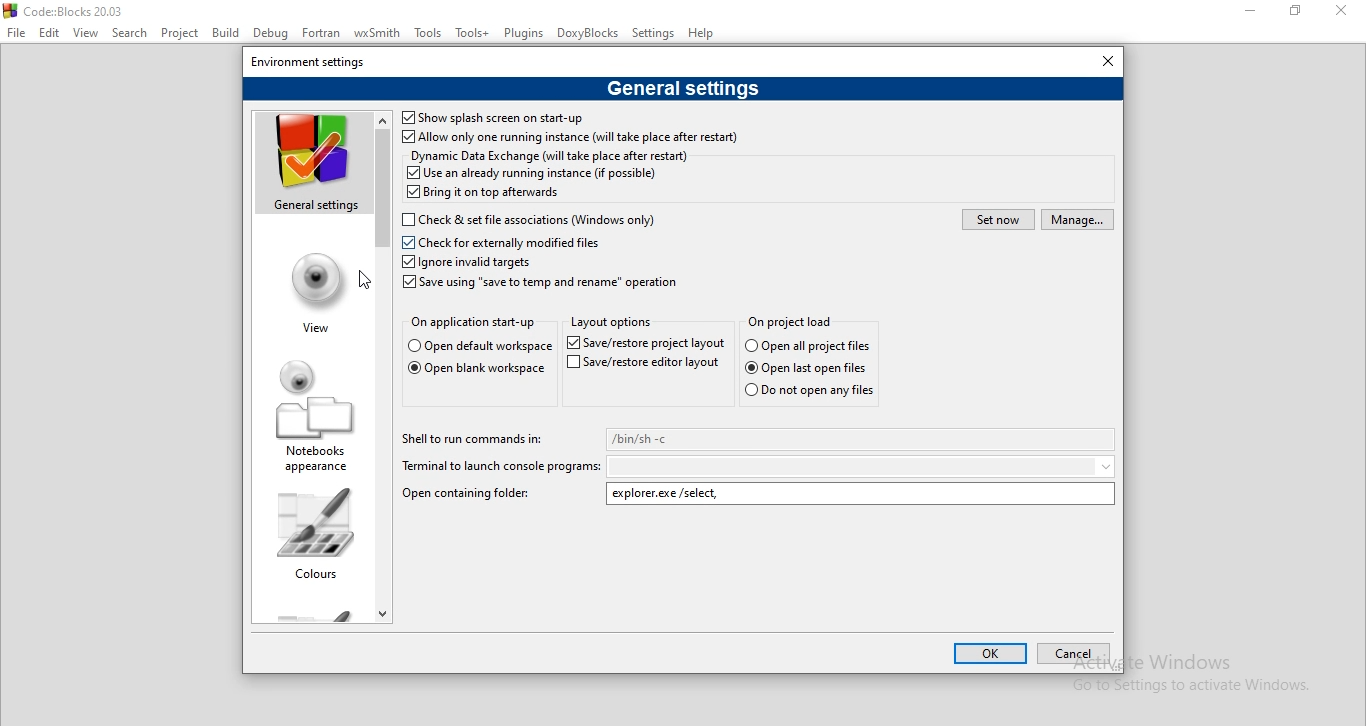 This screenshot has width=1366, height=726. What do you see at coordinates (1251, 12) in the screenshot?
I see `minimise` at bounding box center [1251, 12].